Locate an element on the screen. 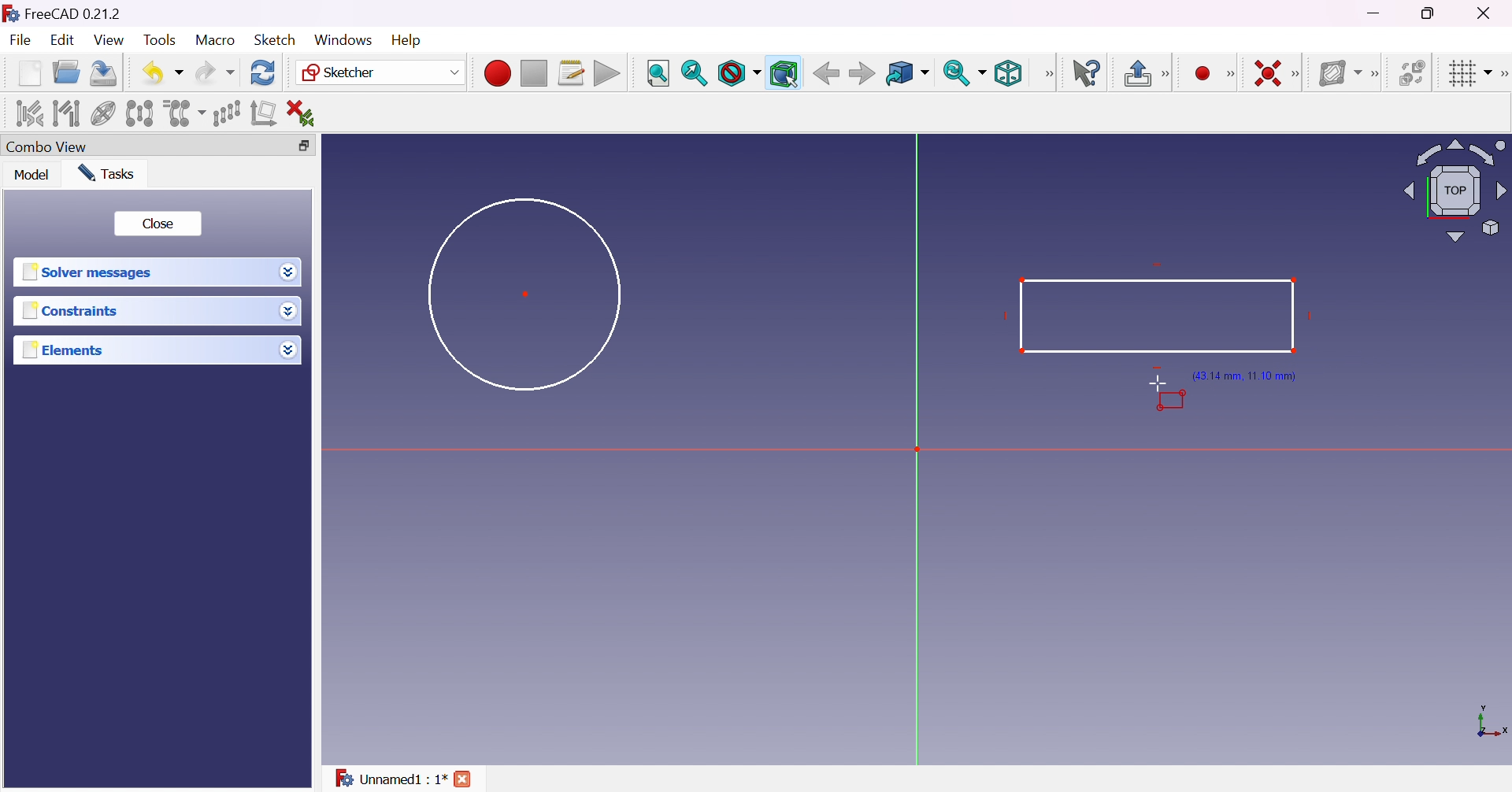 The width and height of the screenshot is (1512, 792). x, y axis is located at coordinates (1490, 723).